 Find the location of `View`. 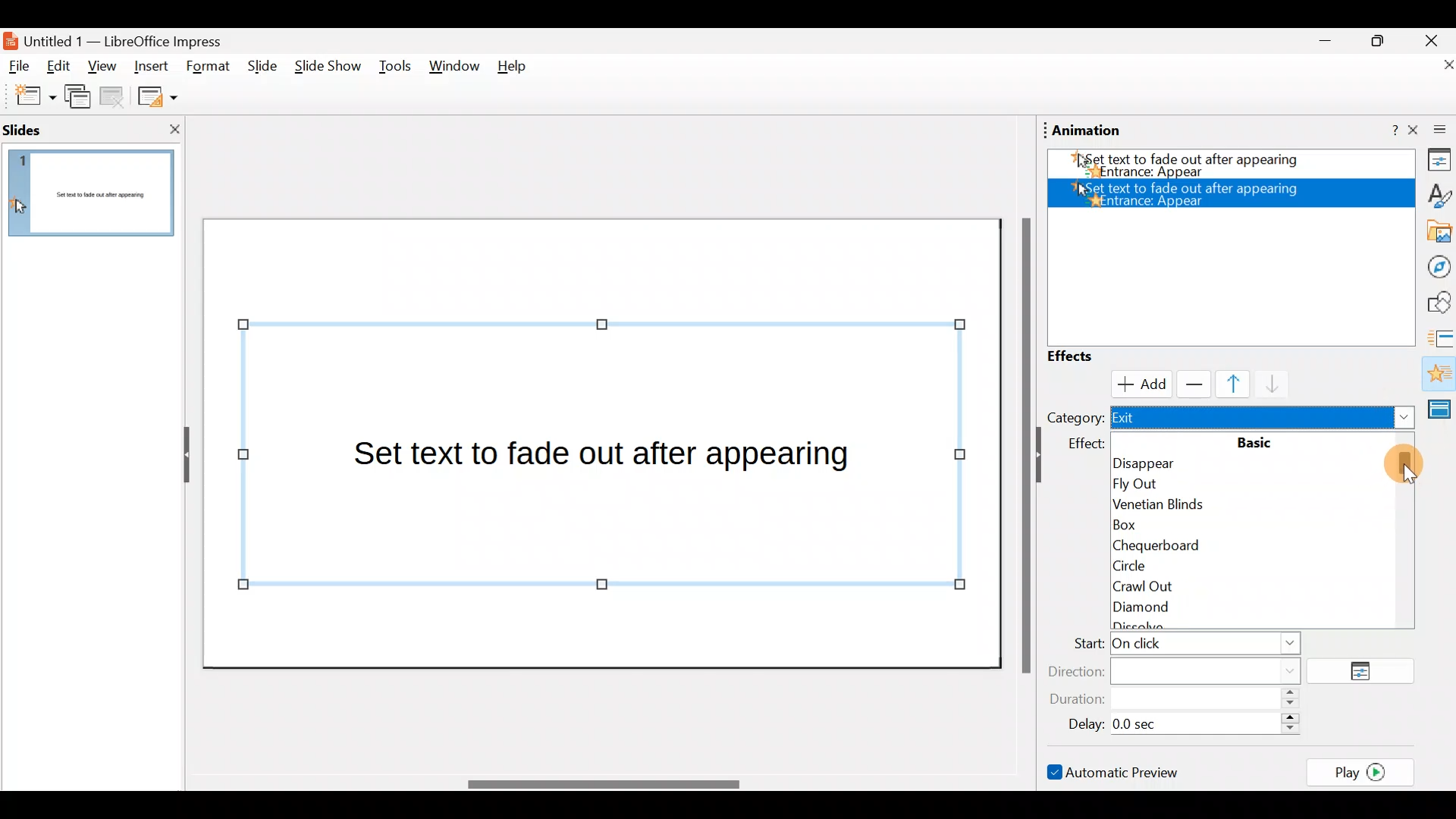

View is located at coordinates (102, 71).